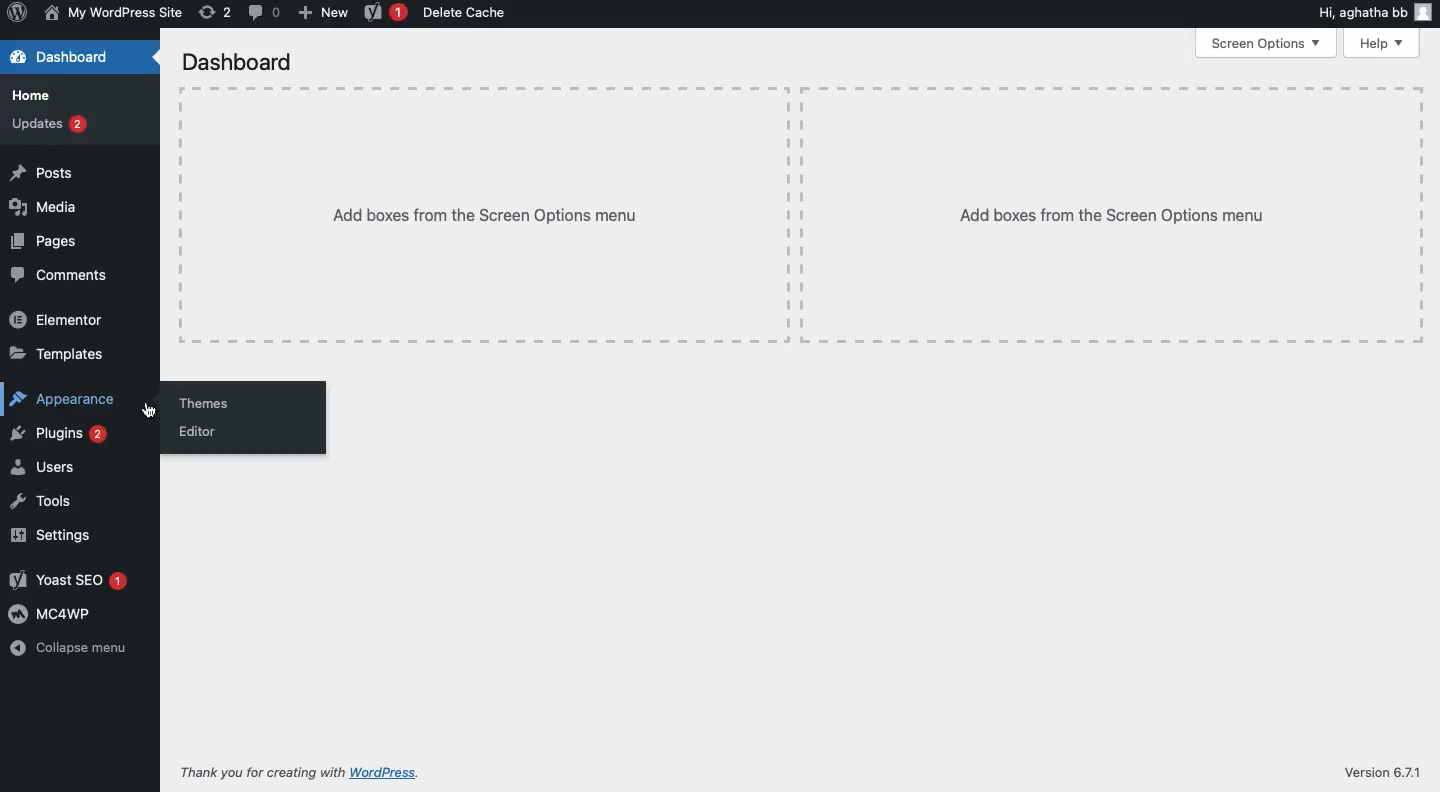 This screenshot has height=792, width=1440. I want to click on Annotate Logo, so click(17, 14).